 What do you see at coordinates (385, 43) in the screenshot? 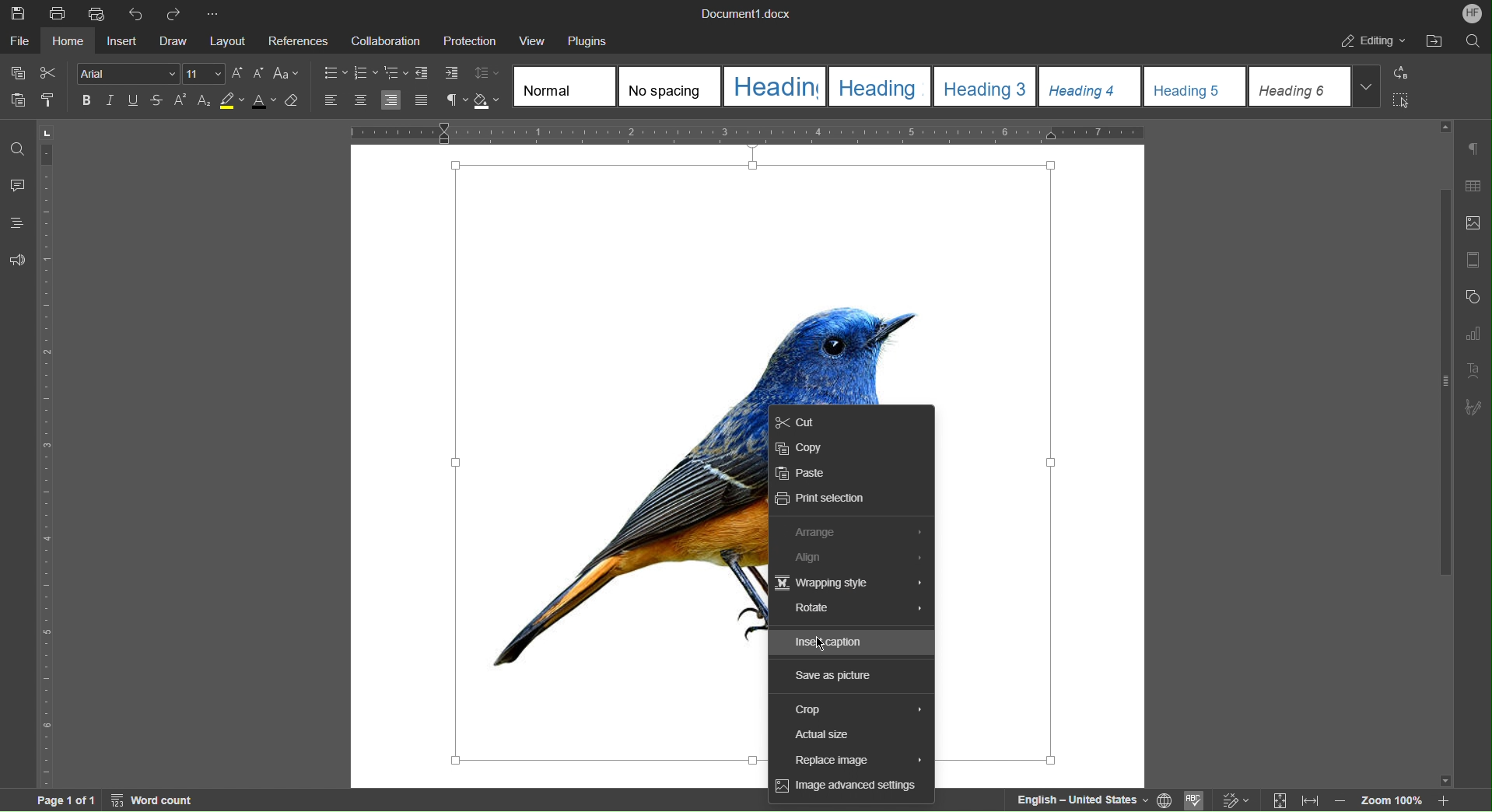
I see `Collaboration` at bounding box center [385, 43].